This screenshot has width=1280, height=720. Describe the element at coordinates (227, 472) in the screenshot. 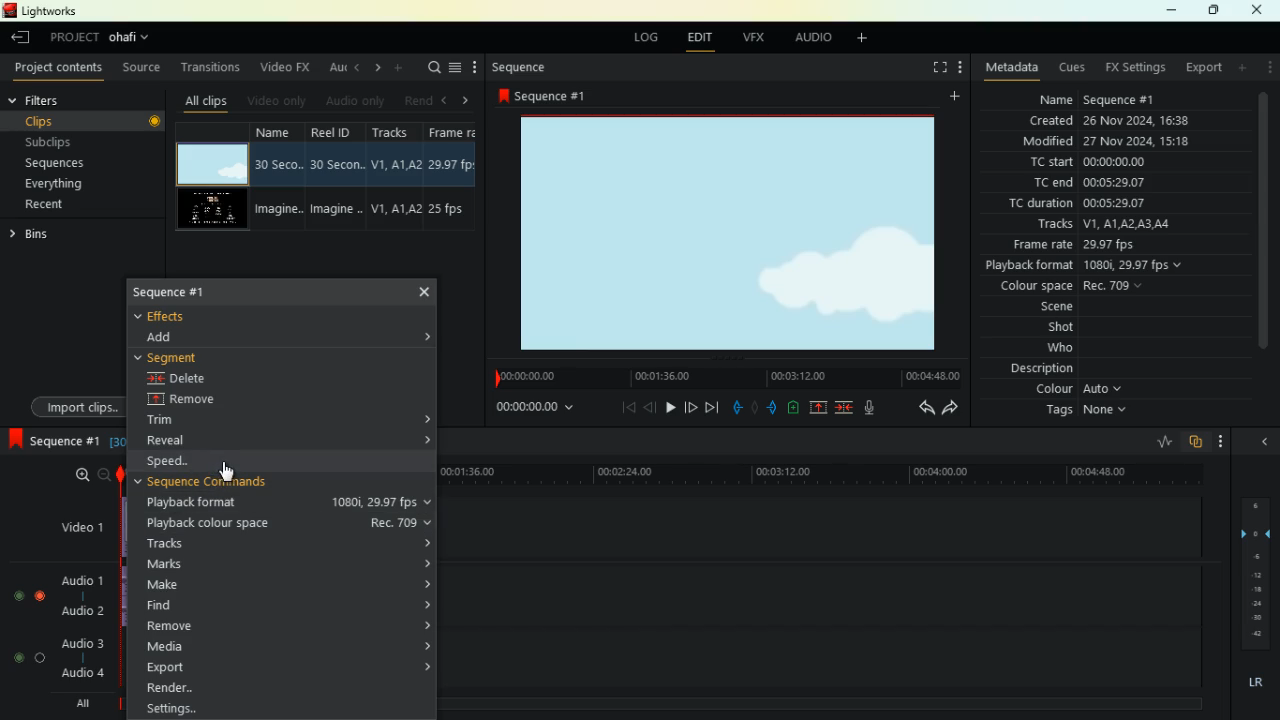

I see `Mouse Cursor` at that location.